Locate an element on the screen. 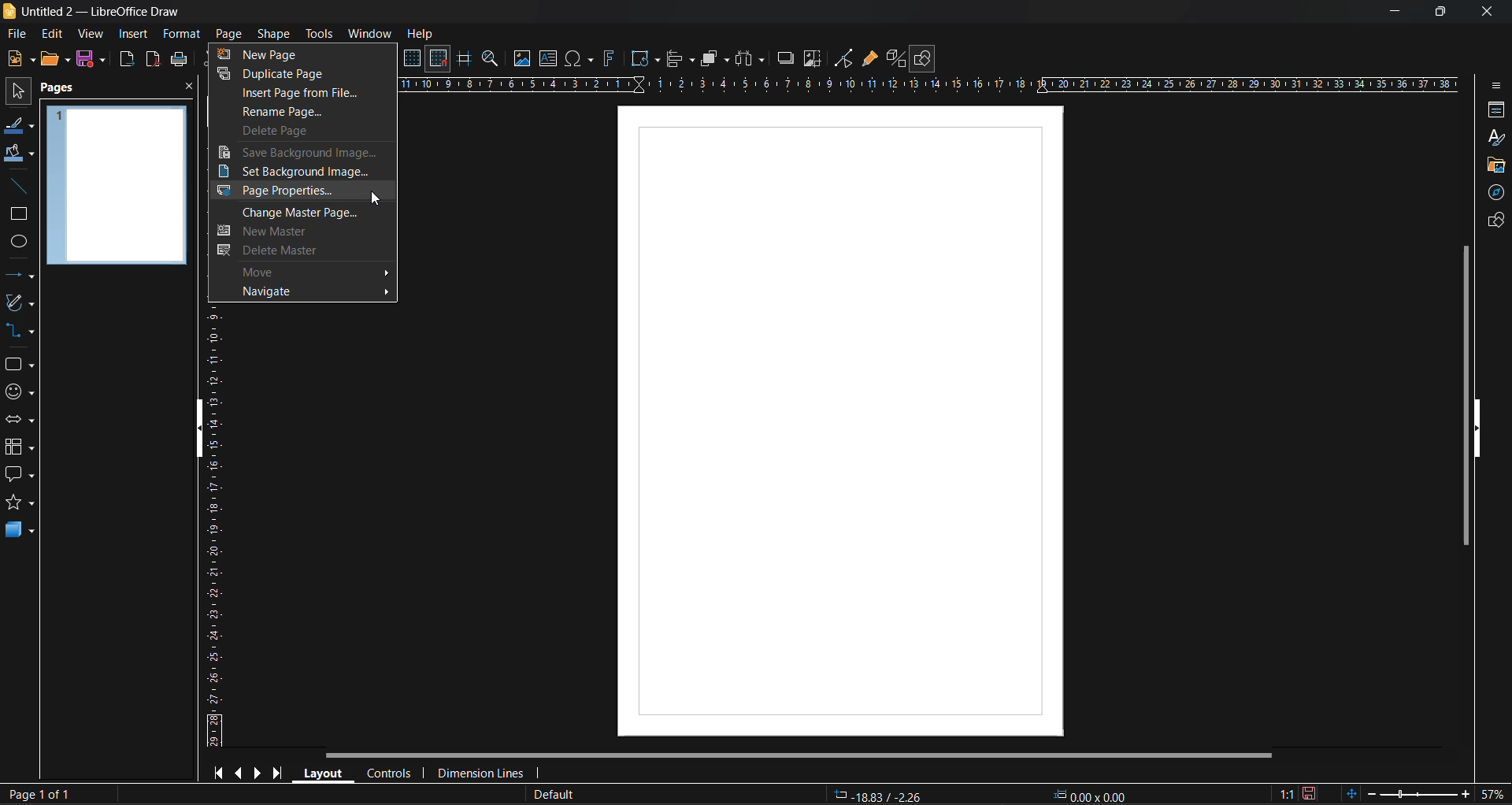 The height and width of the screenshot is (805, 1512). transformations is located at coordinates (646, 58).